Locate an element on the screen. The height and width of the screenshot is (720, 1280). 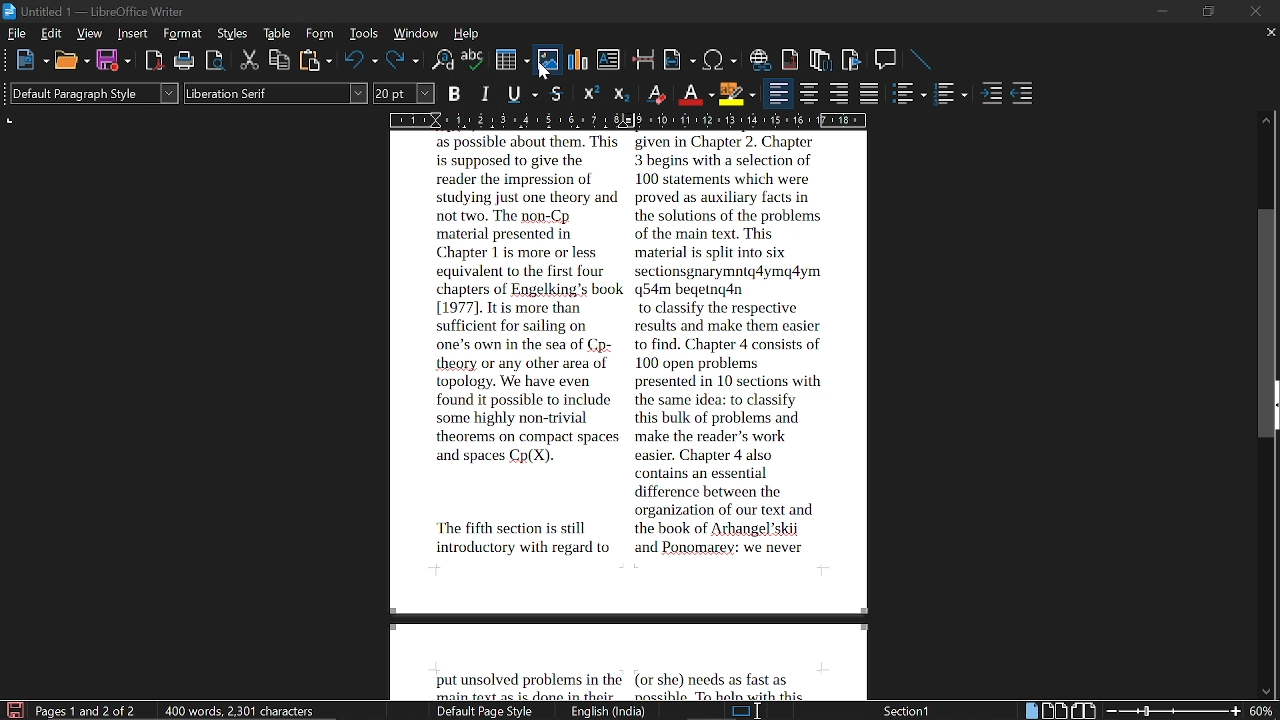
single page view is located at coordinates (1031, 711).